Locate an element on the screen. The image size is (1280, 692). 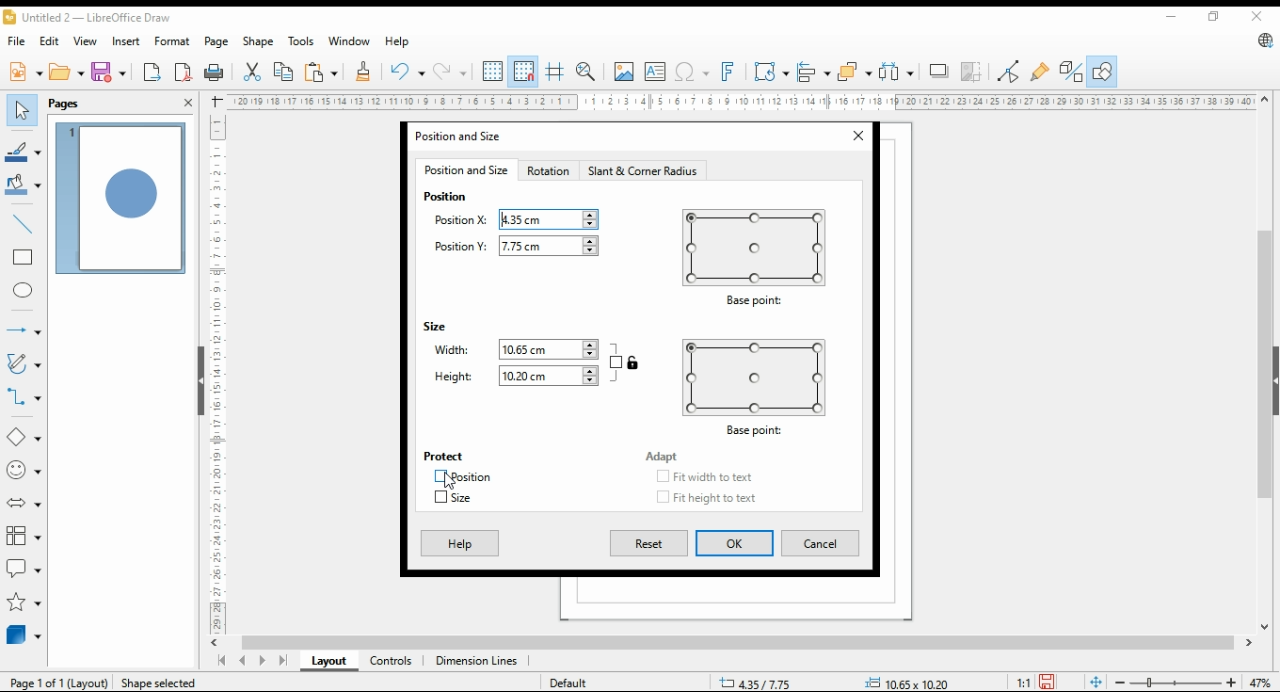
tools is located at coordinates (301, 43).